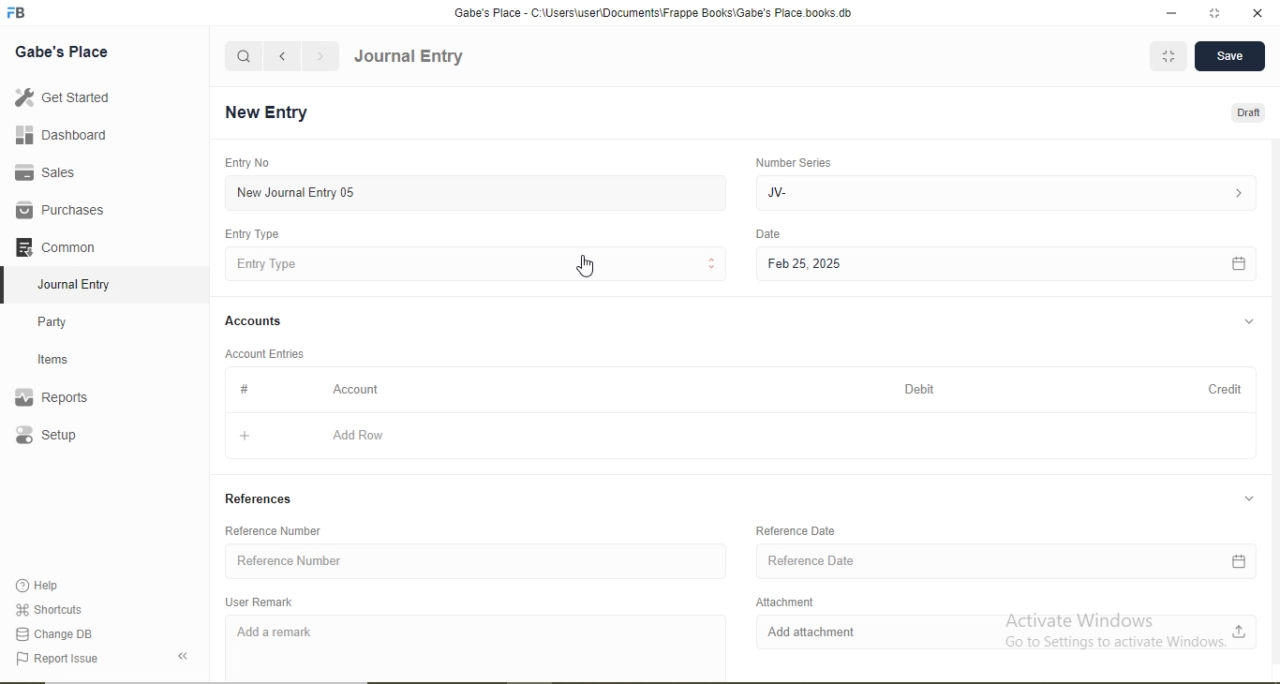 This screenshot has height=684, width=1280. I want to click on Get Started, so click(60, 97).